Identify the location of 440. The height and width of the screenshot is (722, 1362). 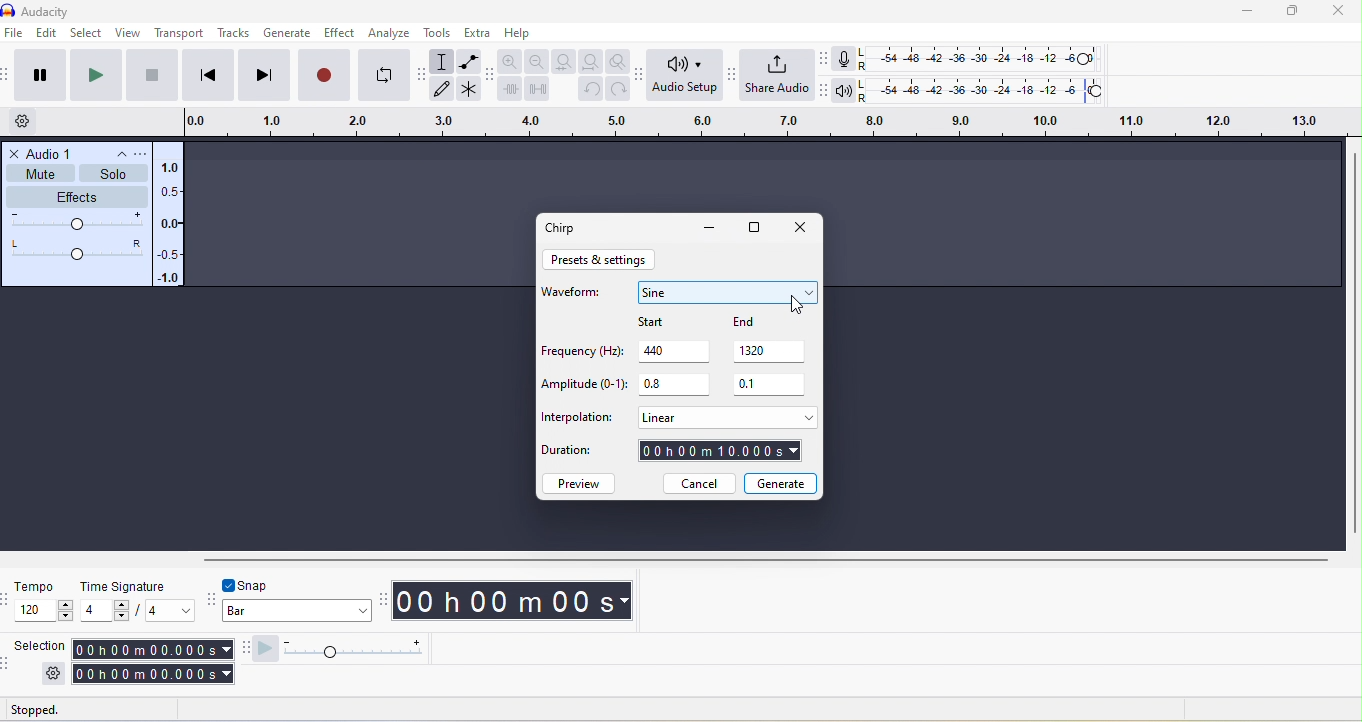
(677, 350).